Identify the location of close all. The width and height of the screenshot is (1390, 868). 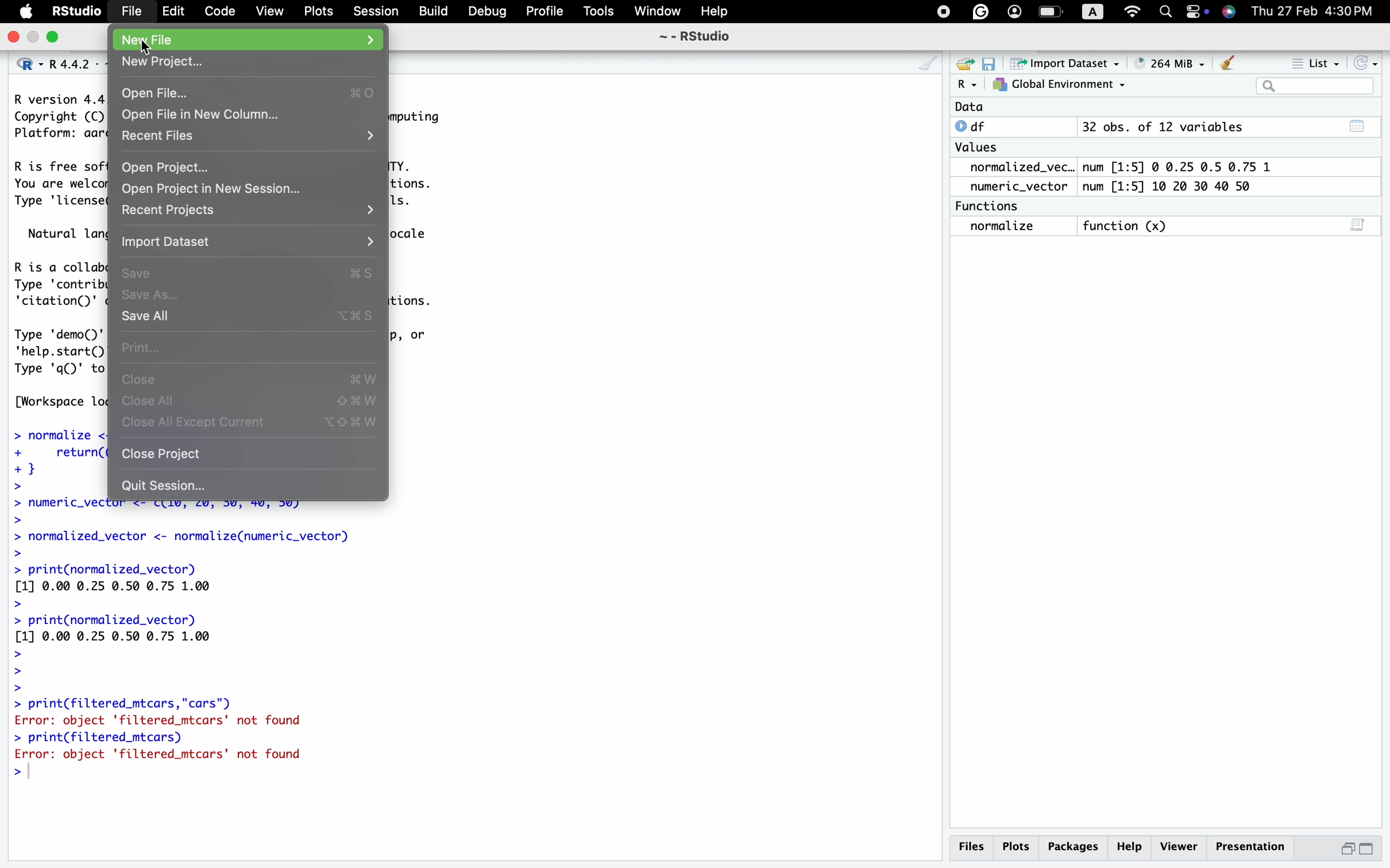
(253, 402).